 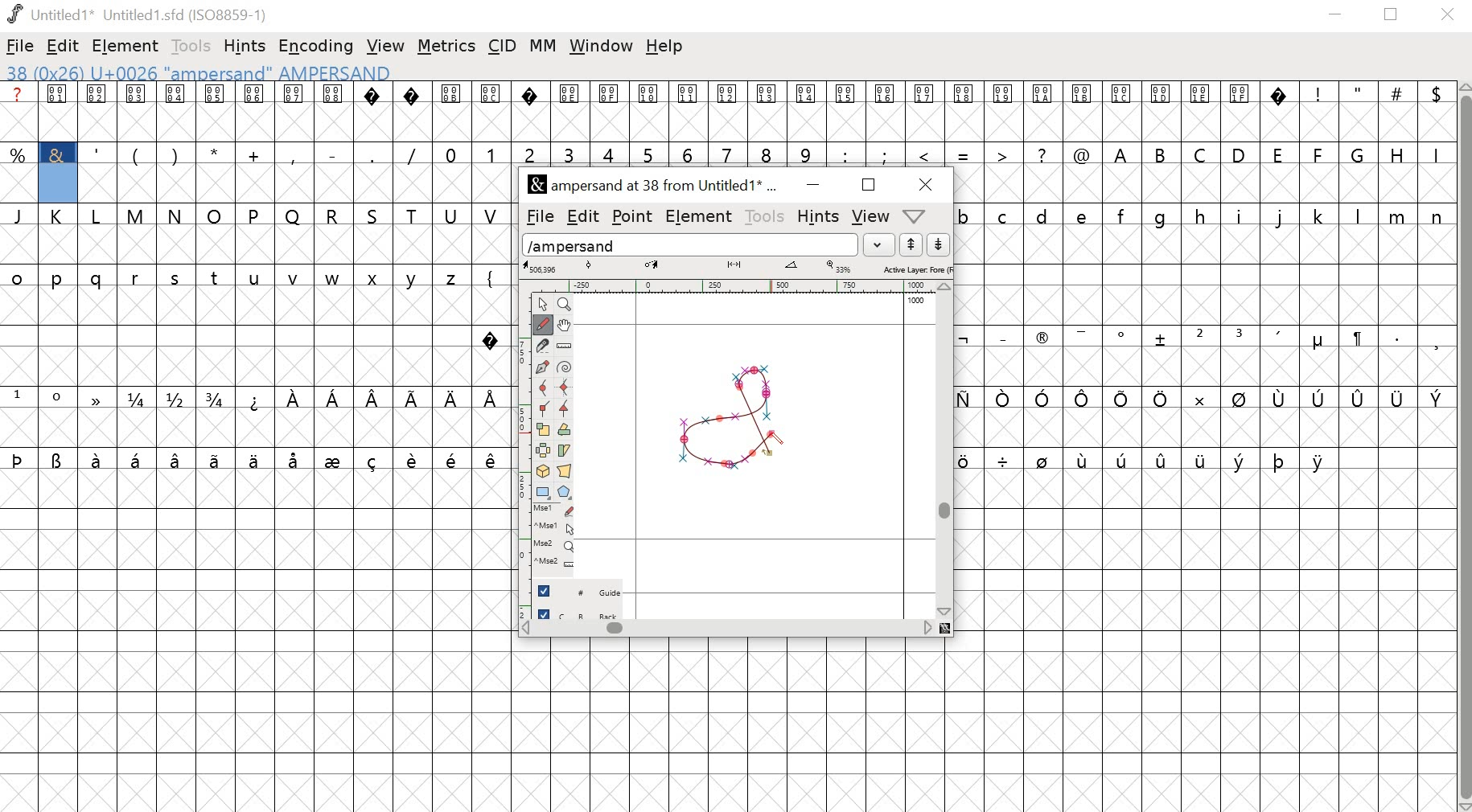 What do you see at coordinates (1042, 340) in the screenshot?
I see `Symbol` at bounding box center [1042, 340].